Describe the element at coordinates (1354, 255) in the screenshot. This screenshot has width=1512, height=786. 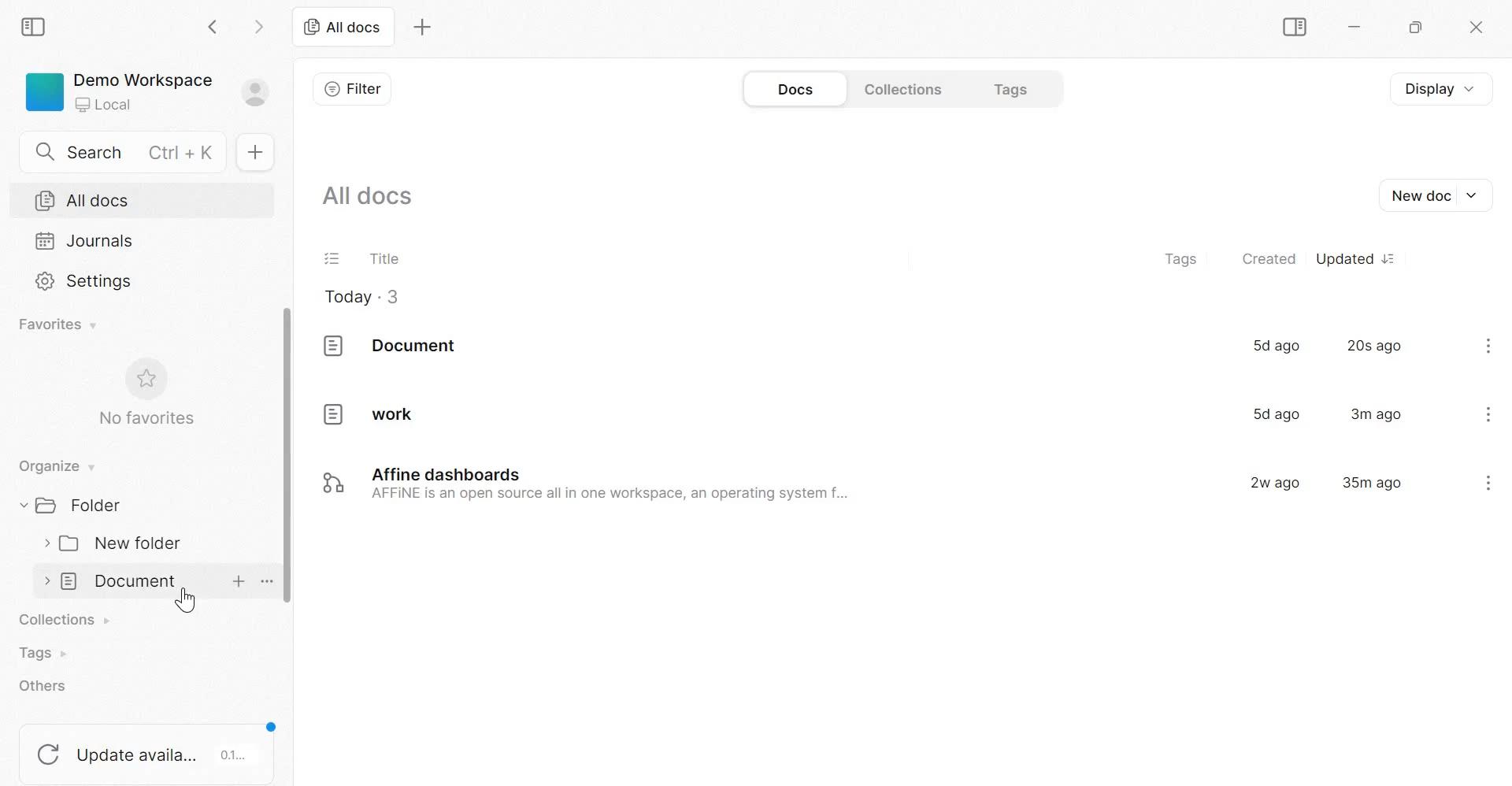
I see `Updated` at that location.